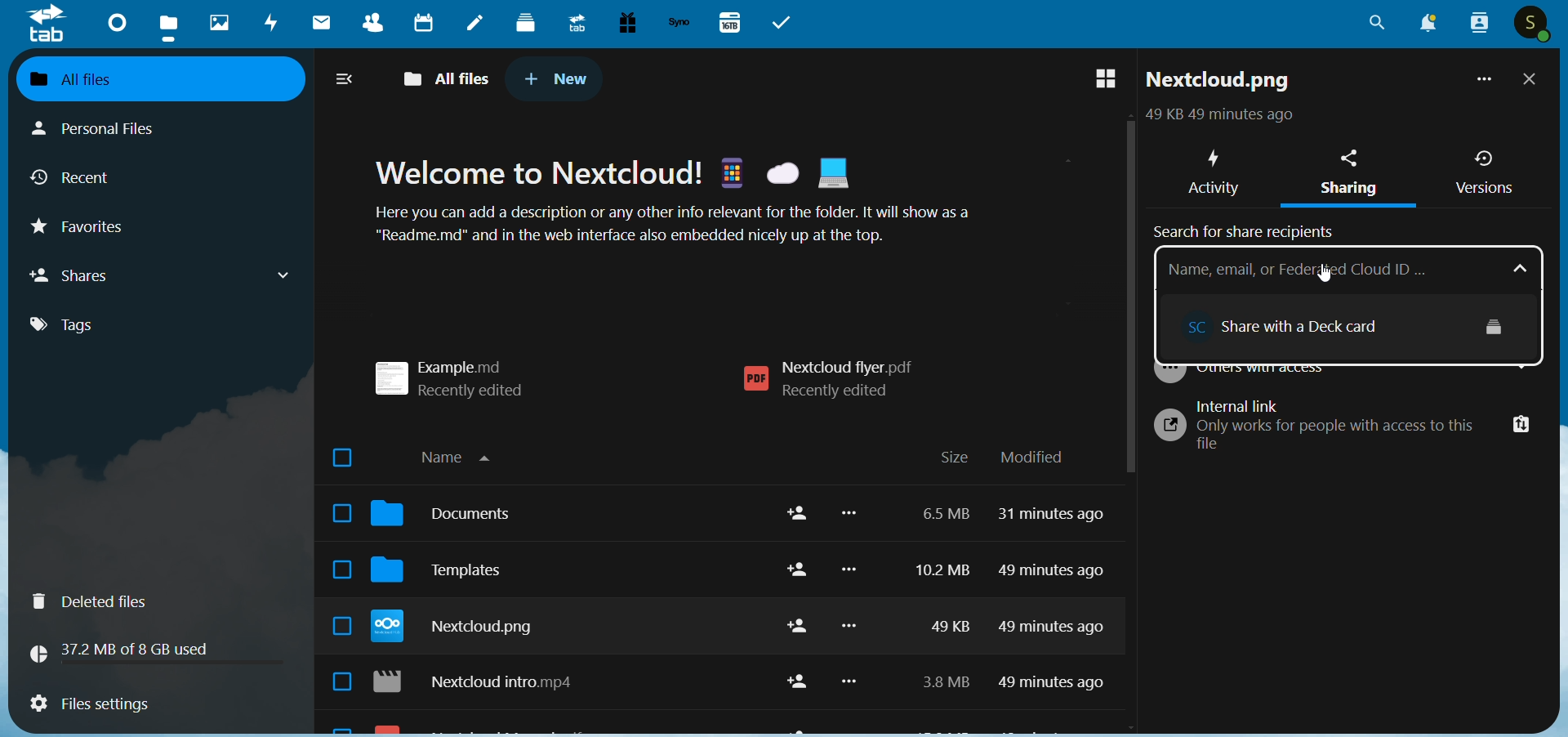  Describe the element at coordinates (464, 454) in the screenshot. I see `name` at that location.